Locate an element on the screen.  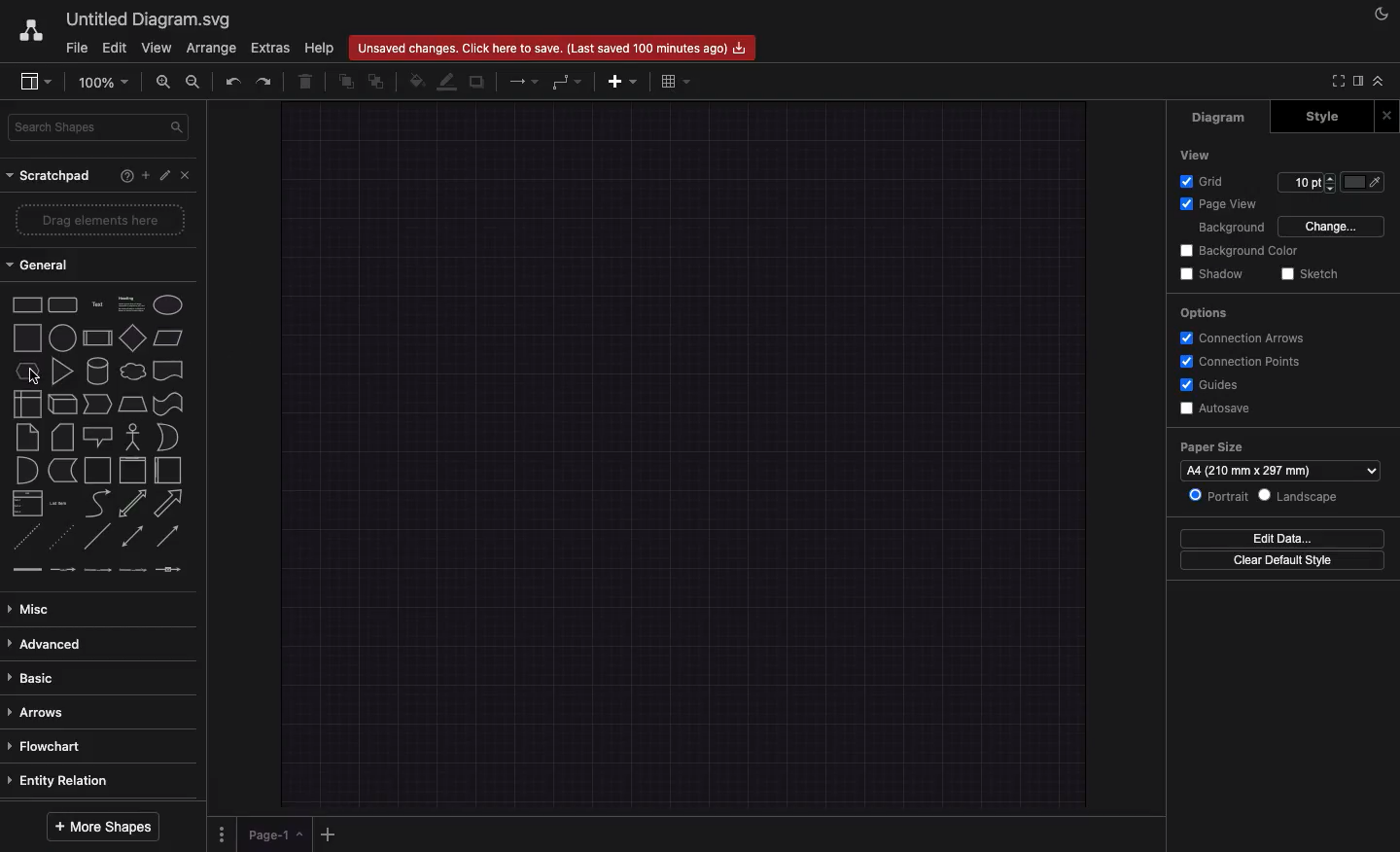
Redo is located at coordinates (262, 83).